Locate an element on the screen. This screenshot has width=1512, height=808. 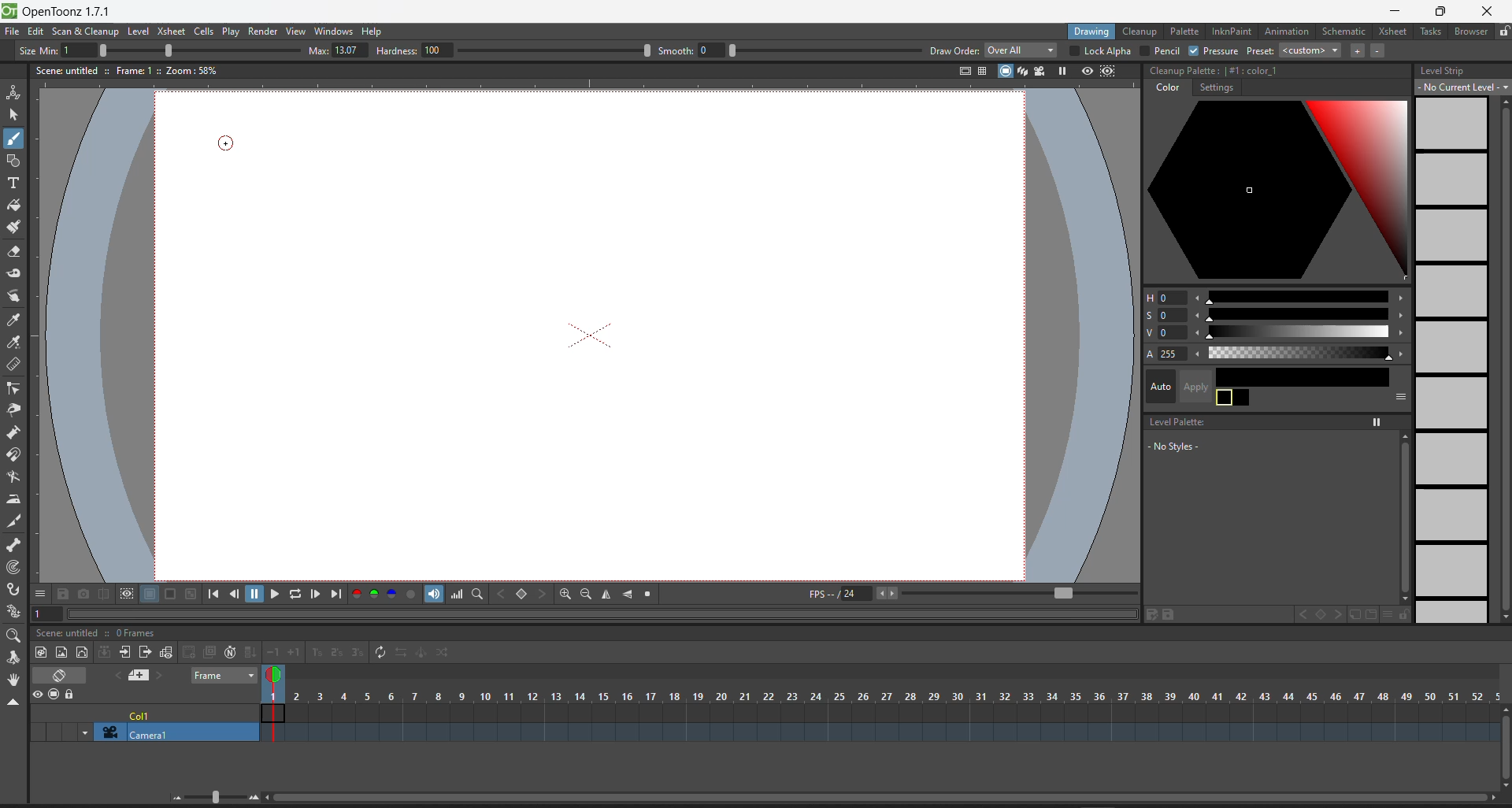
schematic is located at coordinates (1343, 32).